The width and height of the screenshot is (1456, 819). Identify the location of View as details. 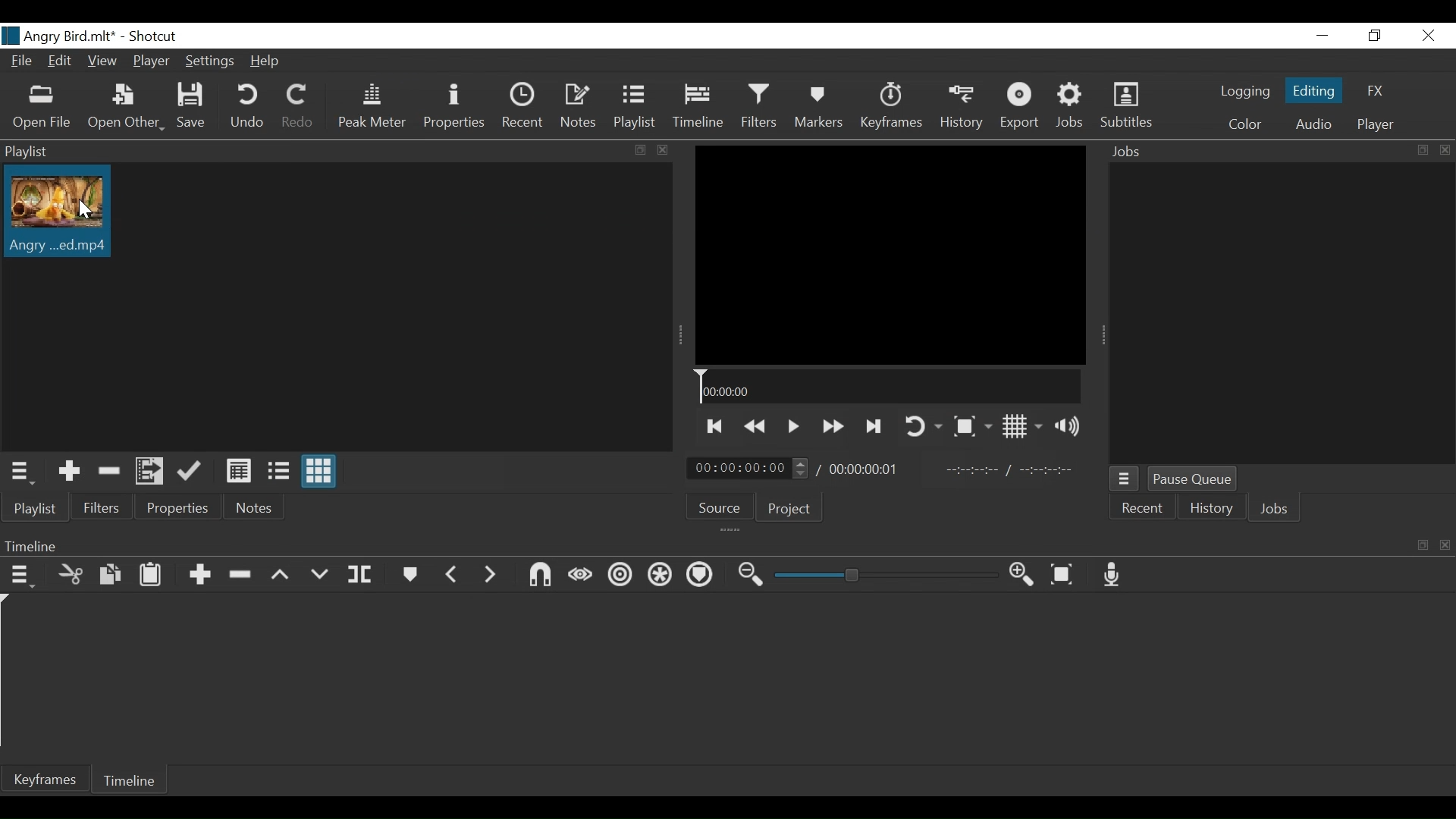
(238, 471).